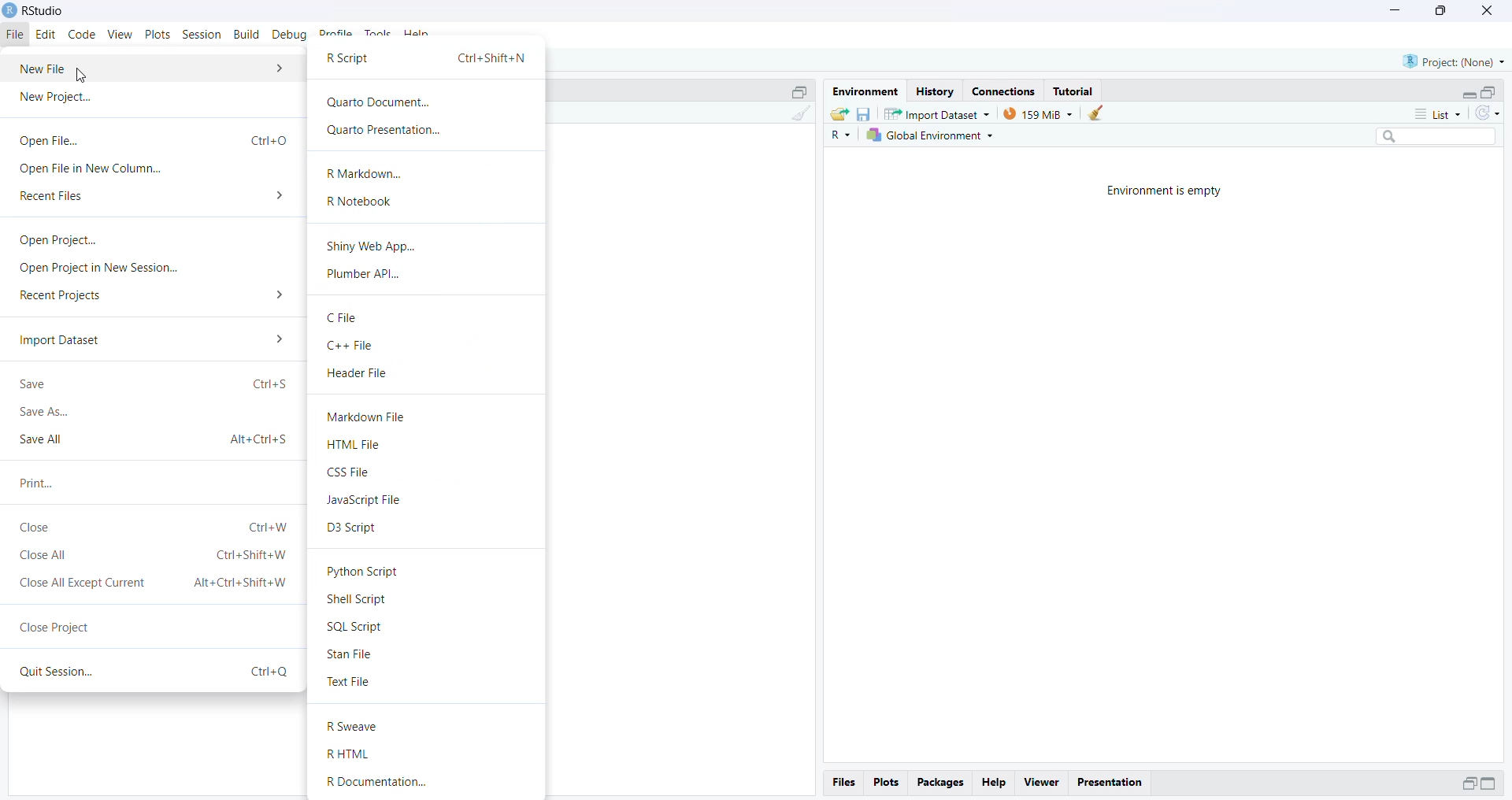 This screenshot has height=800, width=1512. Describe the element at coordinates (839, 113) in the screenshot. I see `load workspace` at that location.